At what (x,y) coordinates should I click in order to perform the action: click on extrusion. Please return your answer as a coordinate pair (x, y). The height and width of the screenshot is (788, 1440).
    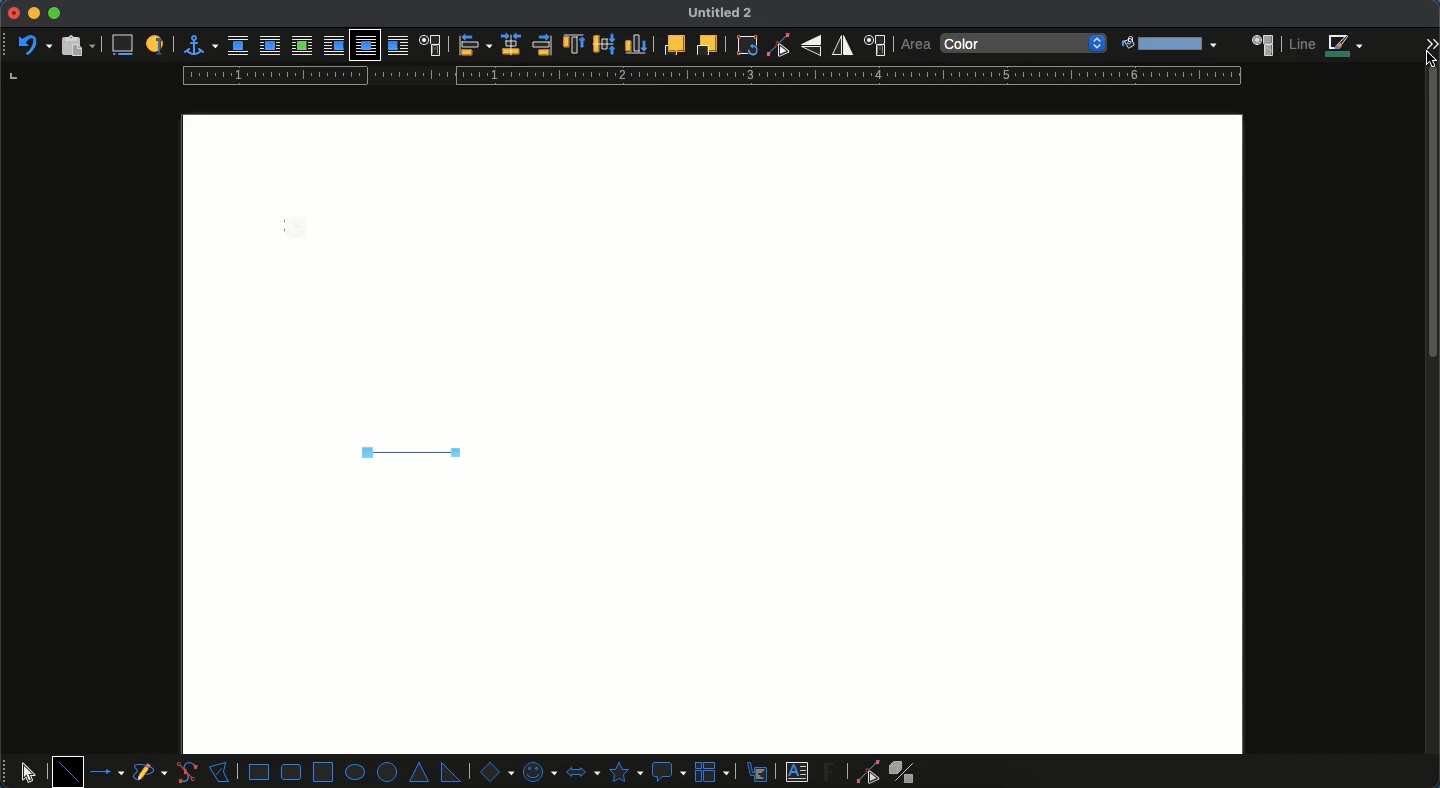
    Looking at the image, I should click on (906, 772).